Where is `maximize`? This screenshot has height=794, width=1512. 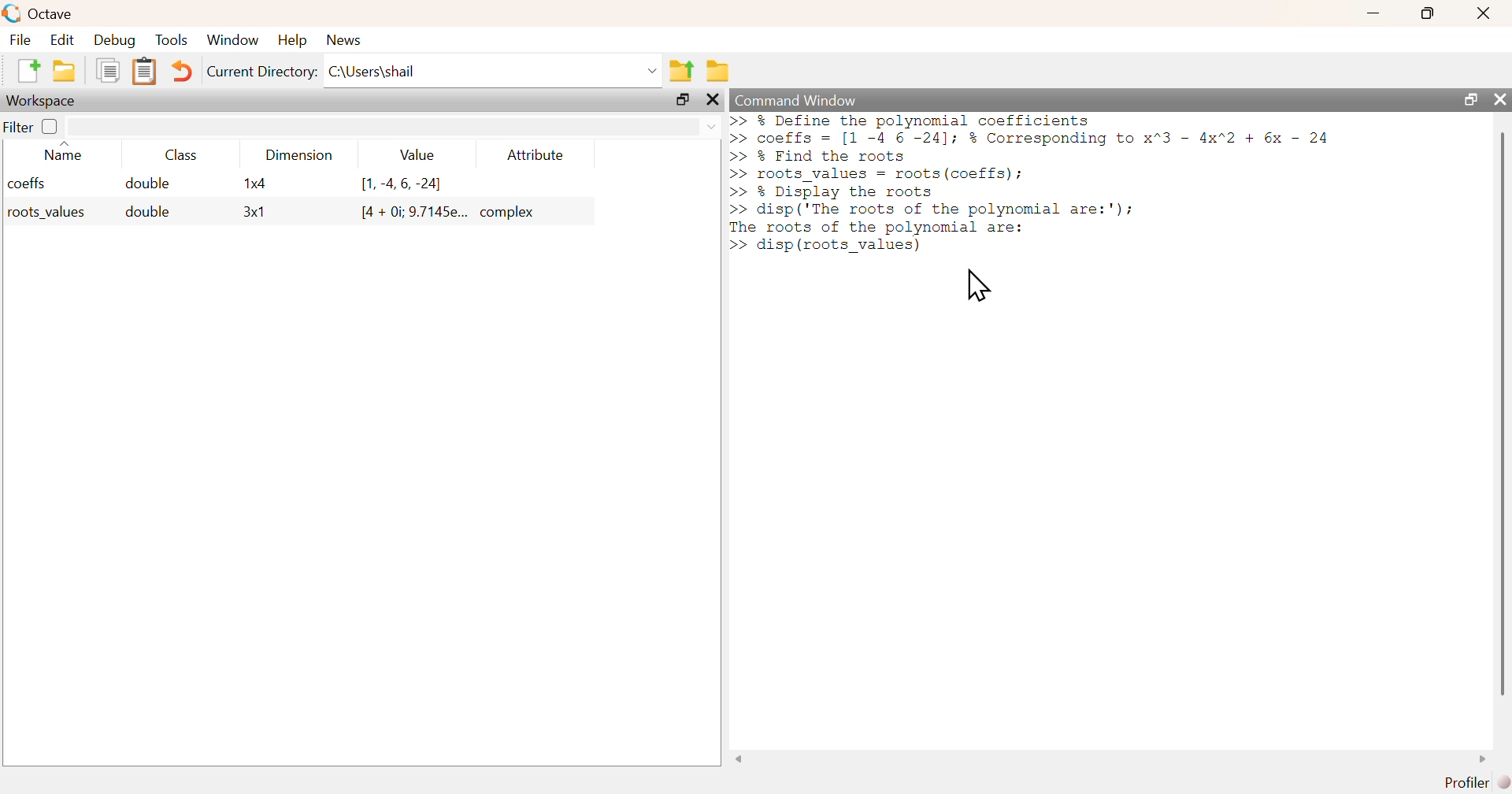
maximize is located at coordinates (682, 100).